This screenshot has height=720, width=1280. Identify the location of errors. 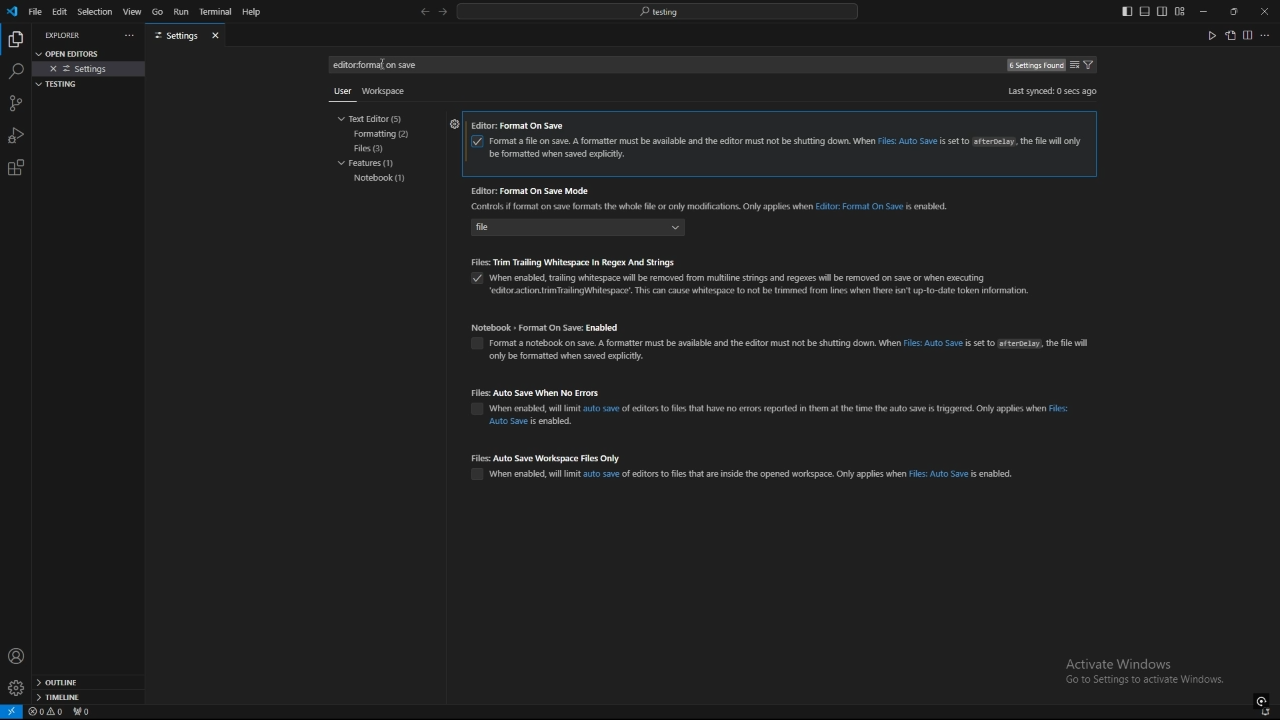
(46, 712).